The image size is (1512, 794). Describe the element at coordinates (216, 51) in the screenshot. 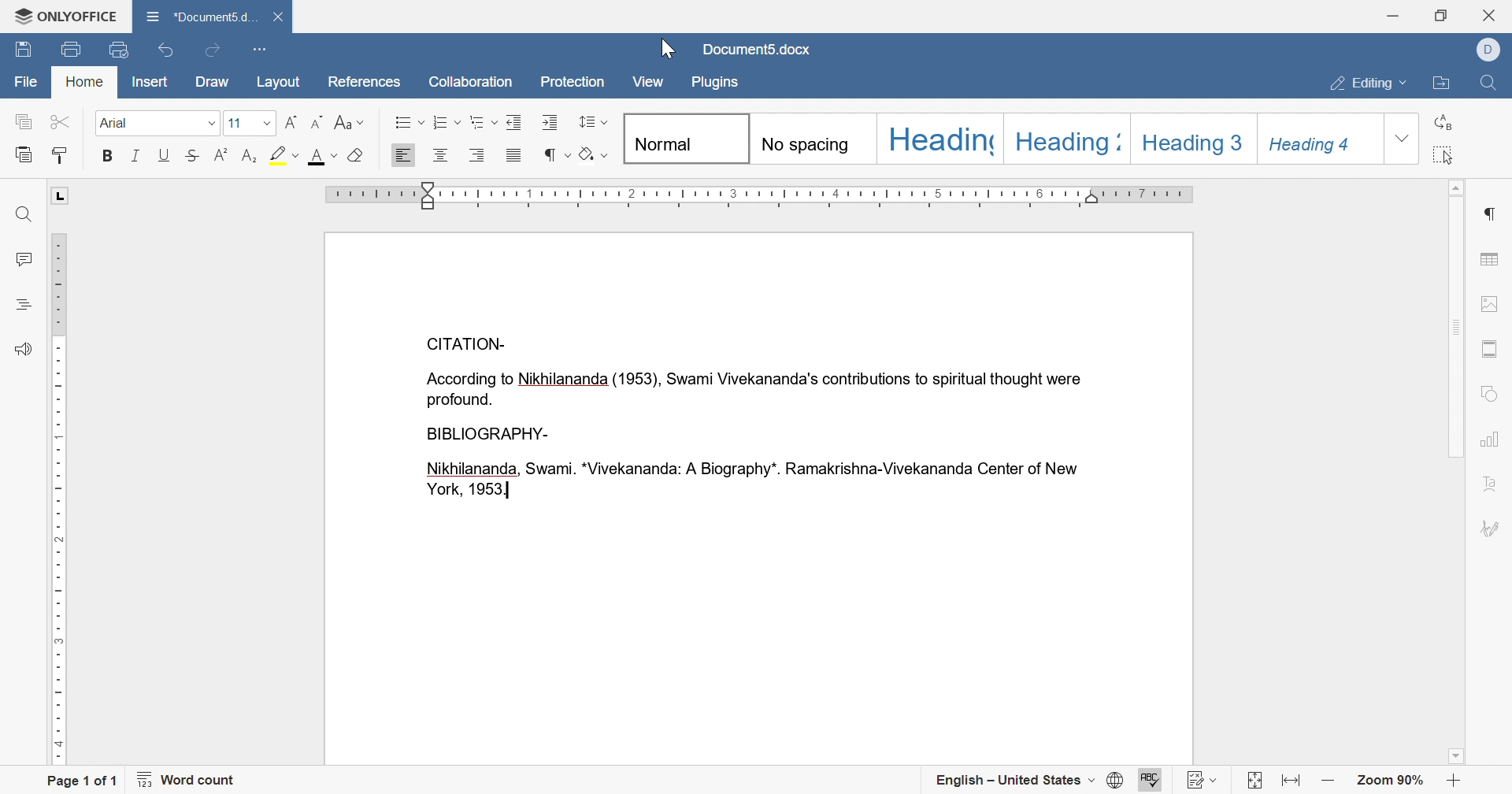

I see `redo` at that location.